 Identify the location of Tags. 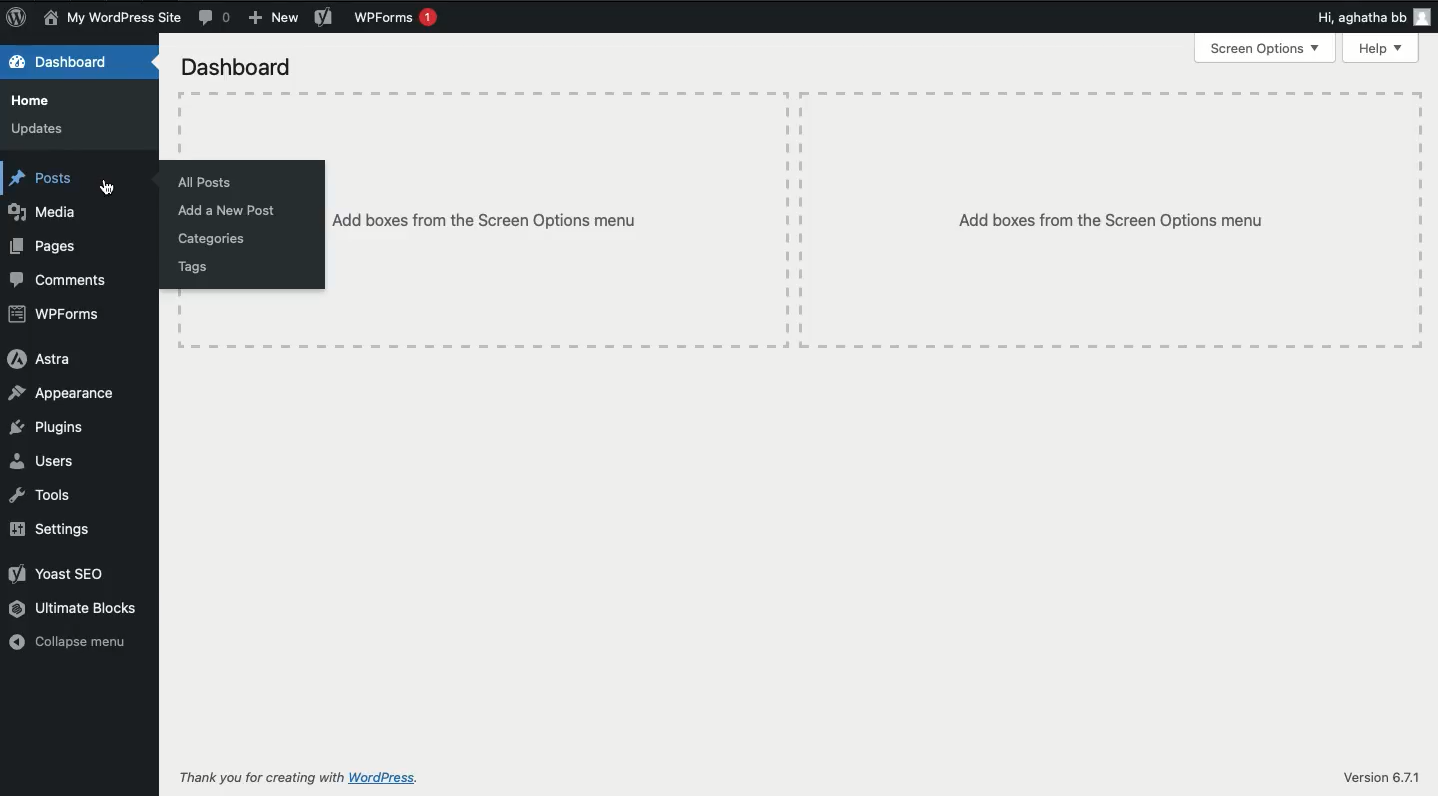
(196, 269).